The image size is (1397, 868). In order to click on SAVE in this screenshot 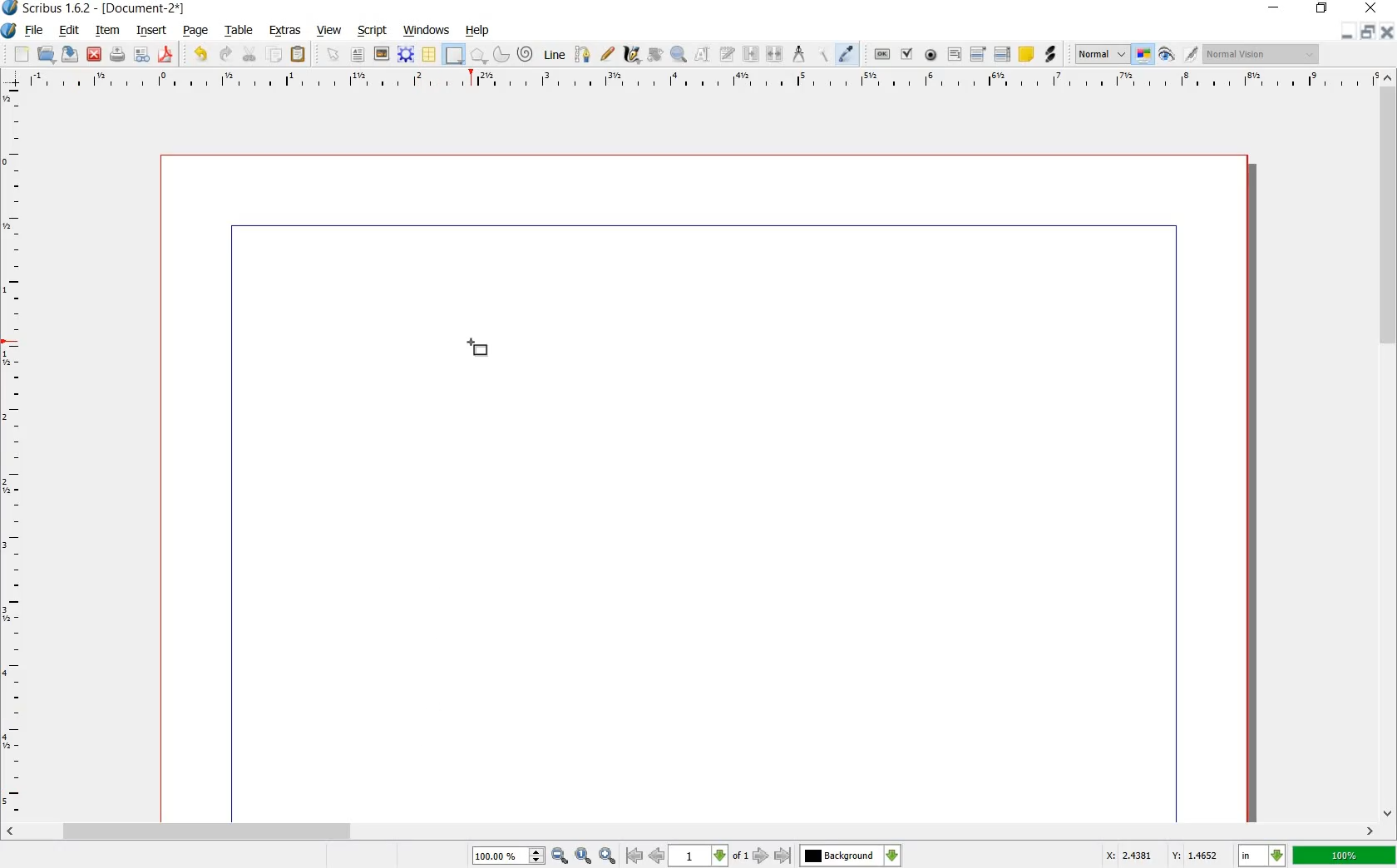, I will do `click(68, 54)`.